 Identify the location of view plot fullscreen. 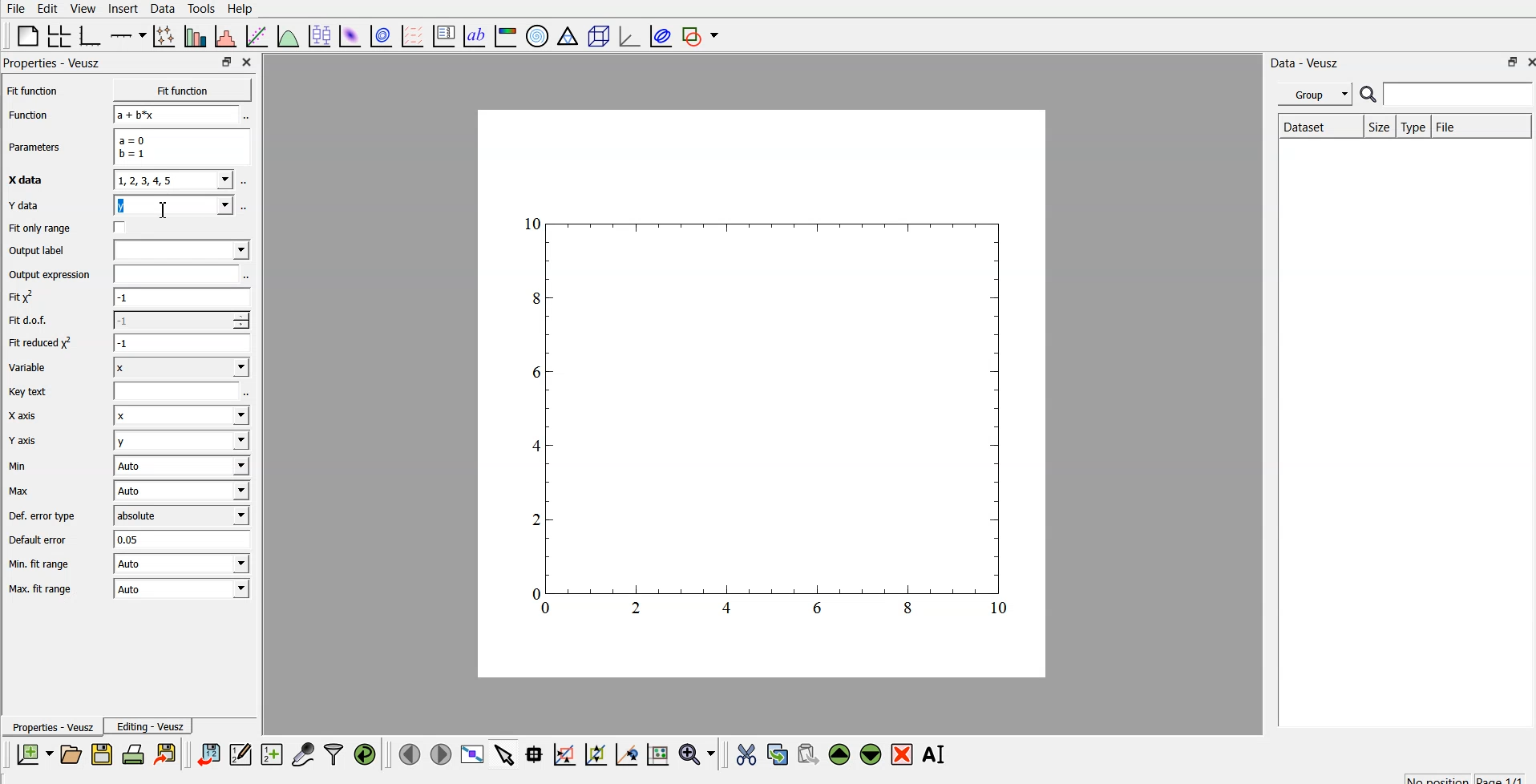
(474, 756).